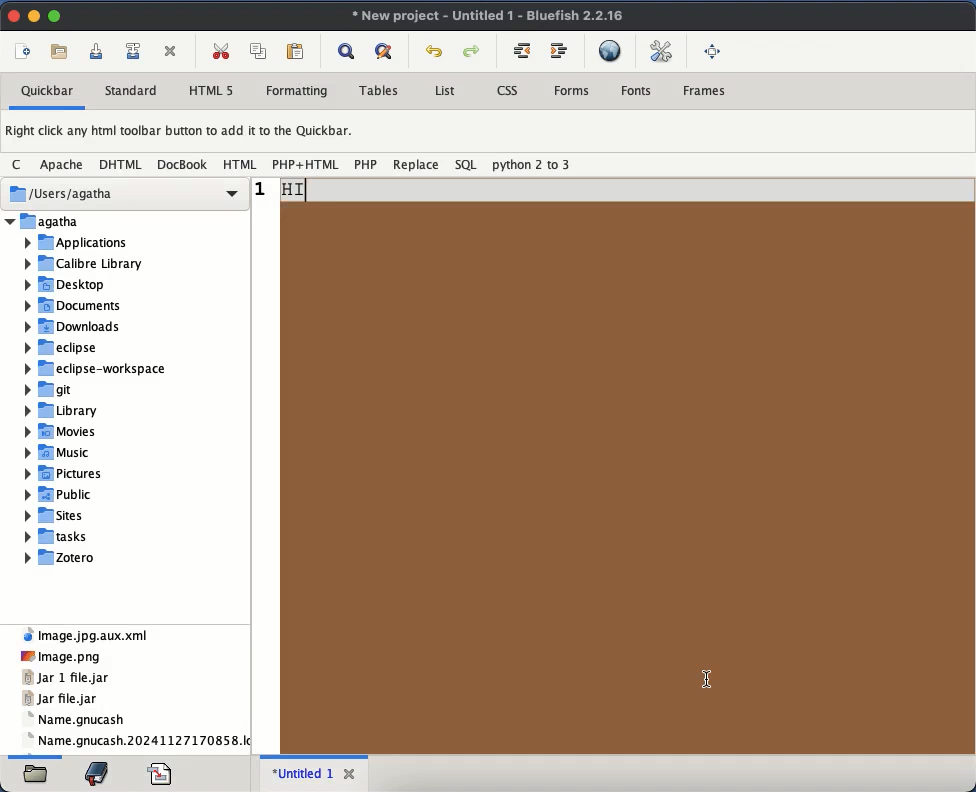  What do you see at coordinates (65, 474) in the screenshot?
I see `Pictures` at bounding box center [65, 474].